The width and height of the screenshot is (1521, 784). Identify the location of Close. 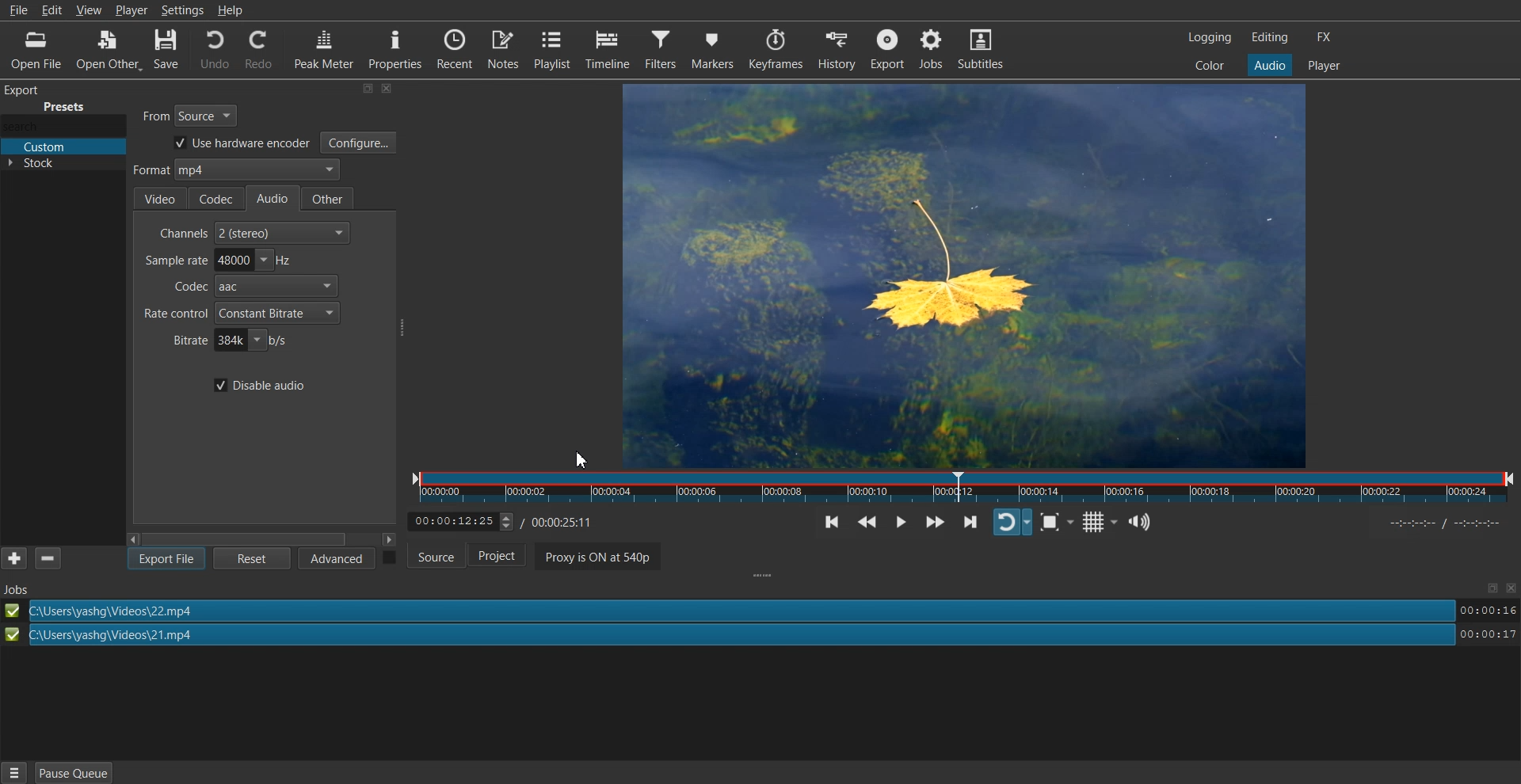
(1511, 588).